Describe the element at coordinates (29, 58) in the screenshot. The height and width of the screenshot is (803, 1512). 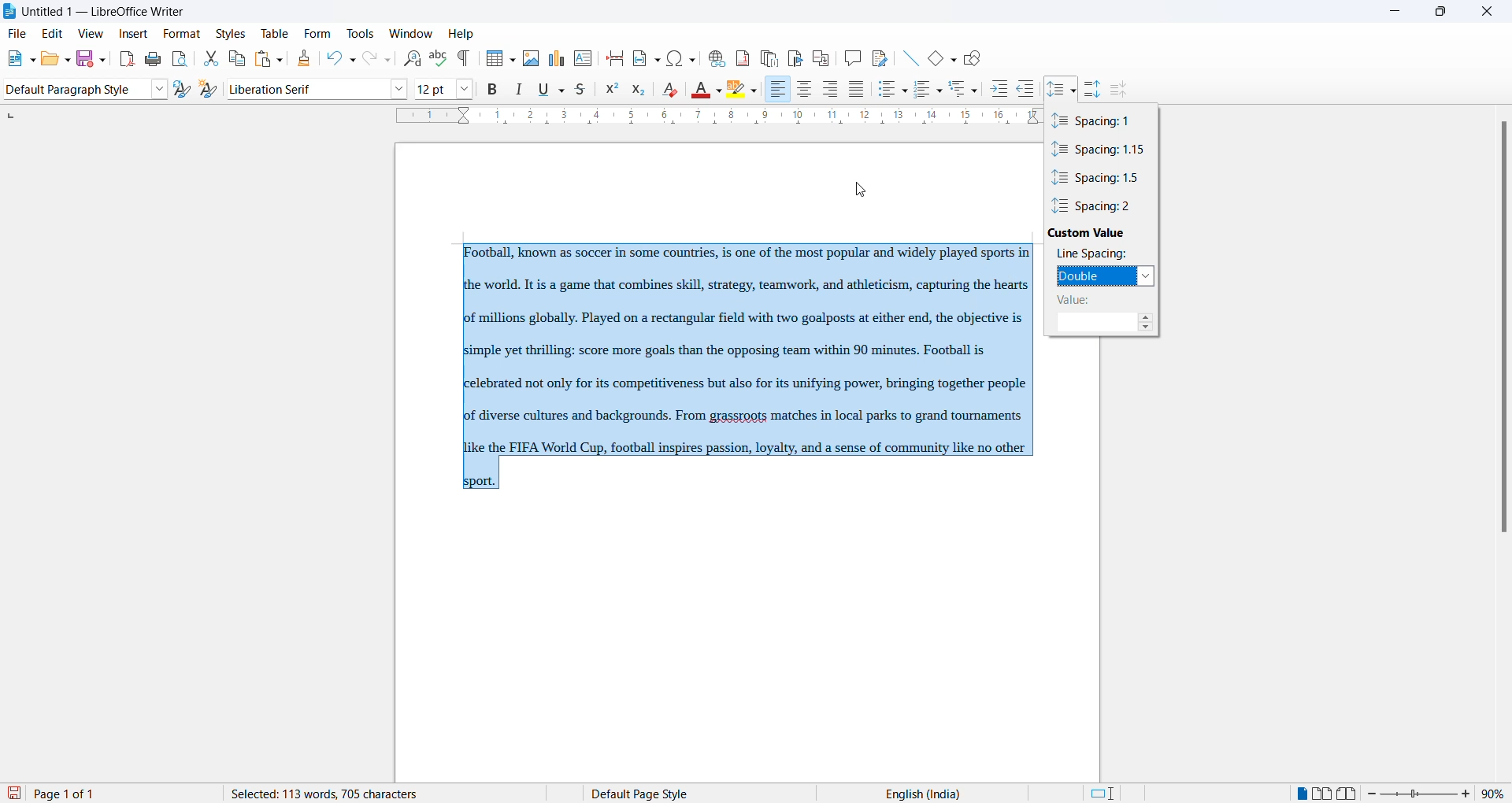
I see `new file options` at that location.